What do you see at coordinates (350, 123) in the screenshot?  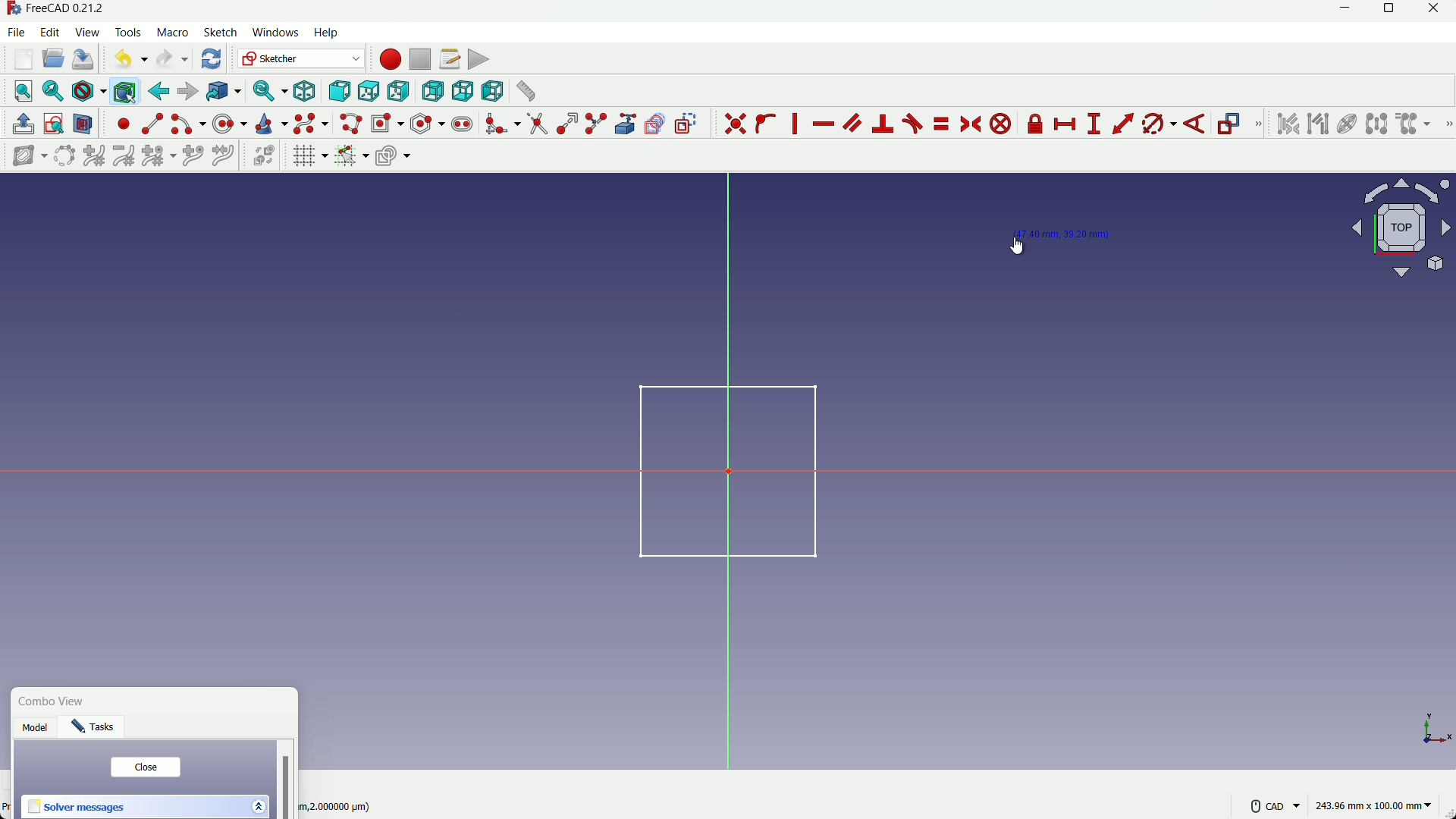 I see `create polyline` at bounding box center [350, 123].